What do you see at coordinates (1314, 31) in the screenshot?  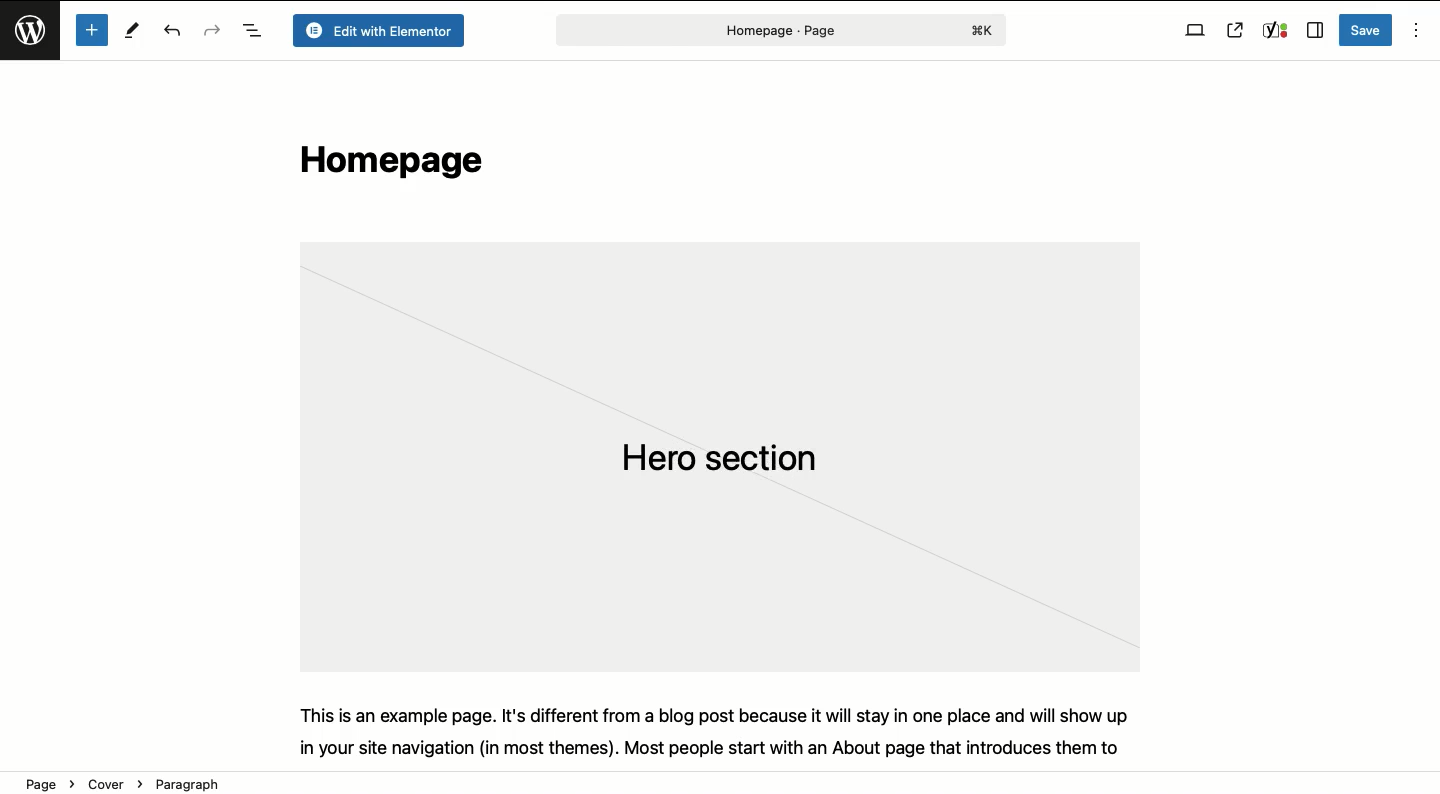 I see `Sidebar` at bounding box center [1314, 31].